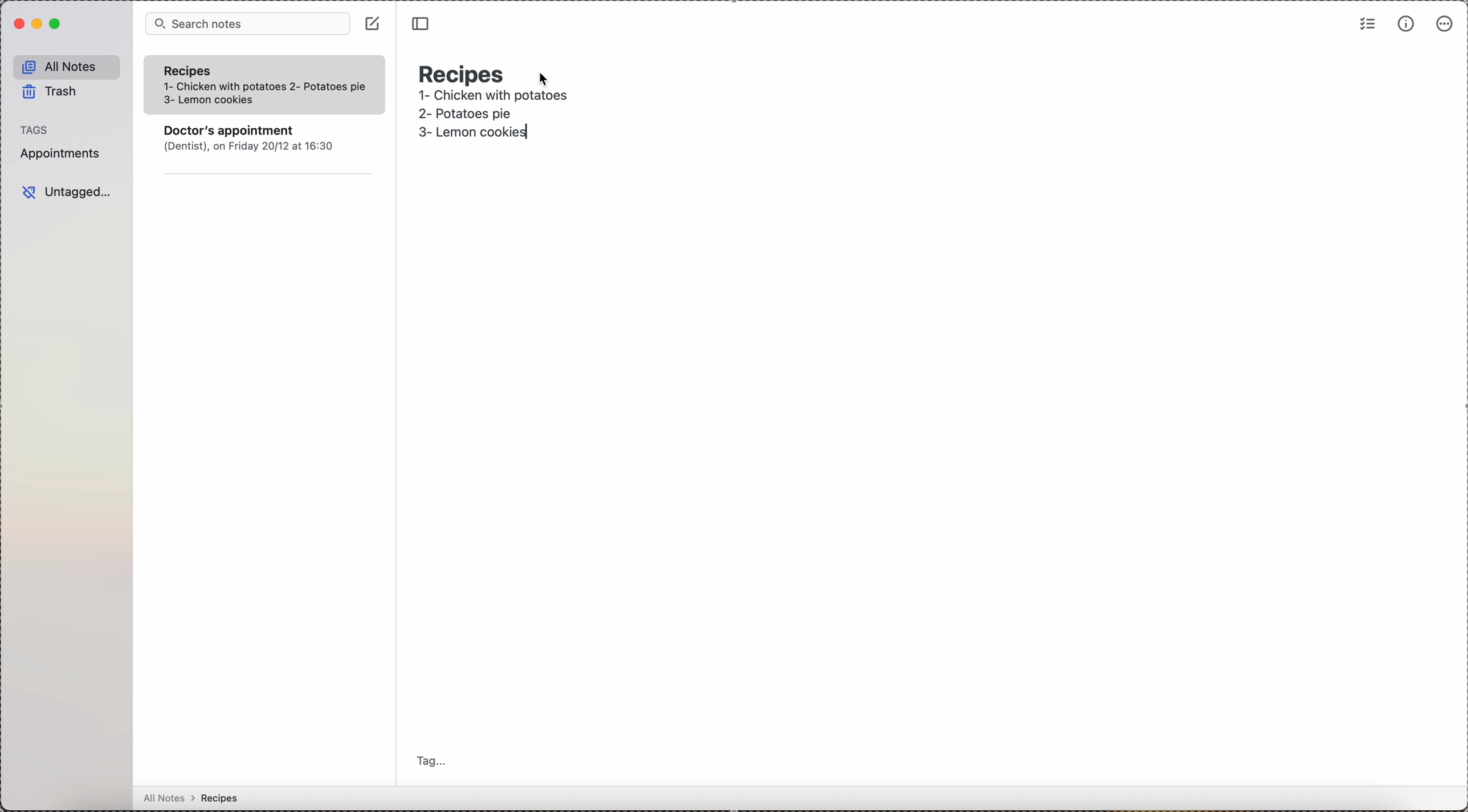 The height and width of the screenshot is (812, 1468). I want to click on note, so click(270, 153).